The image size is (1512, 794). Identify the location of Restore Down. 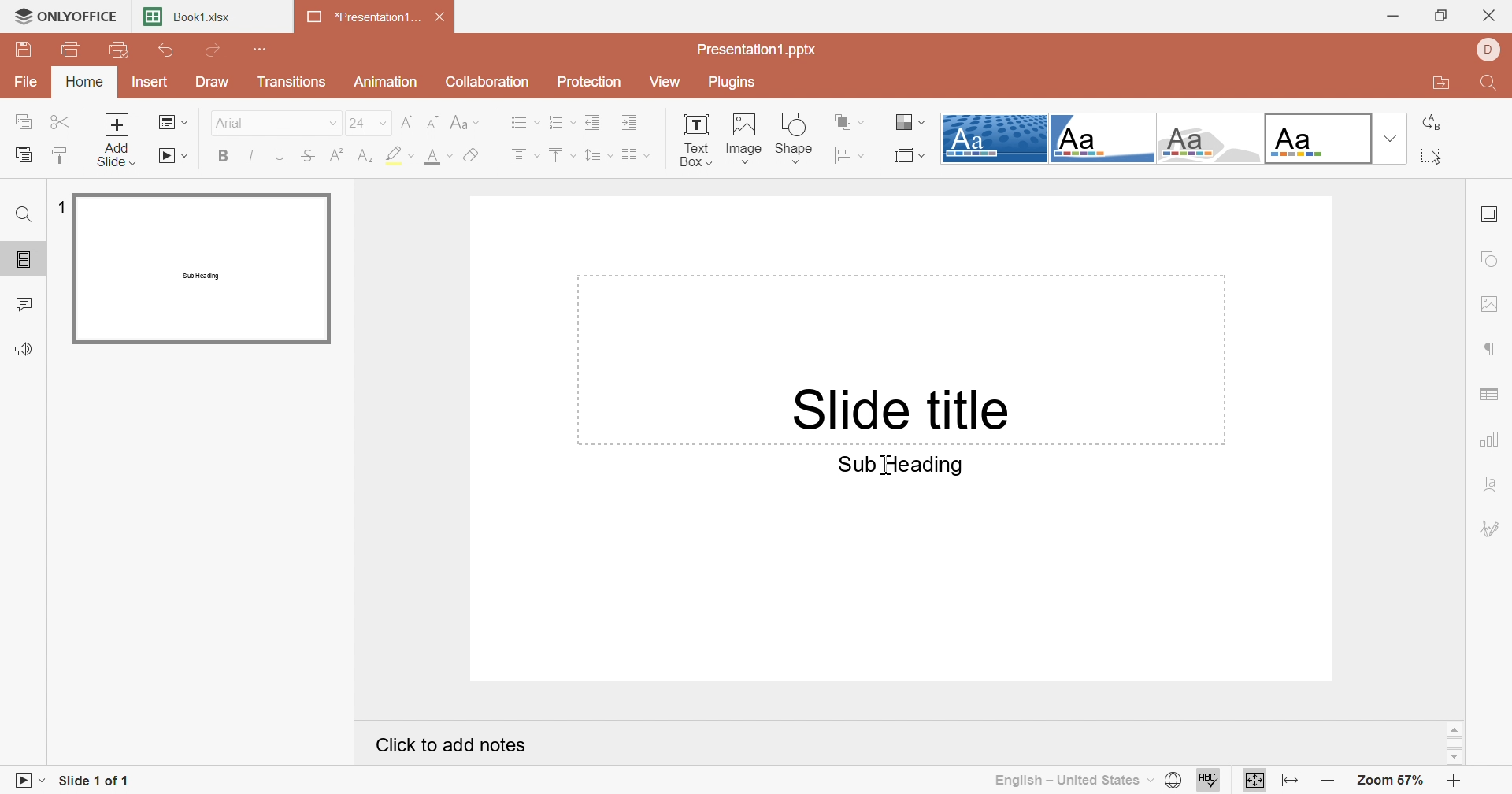
(1443, 17).